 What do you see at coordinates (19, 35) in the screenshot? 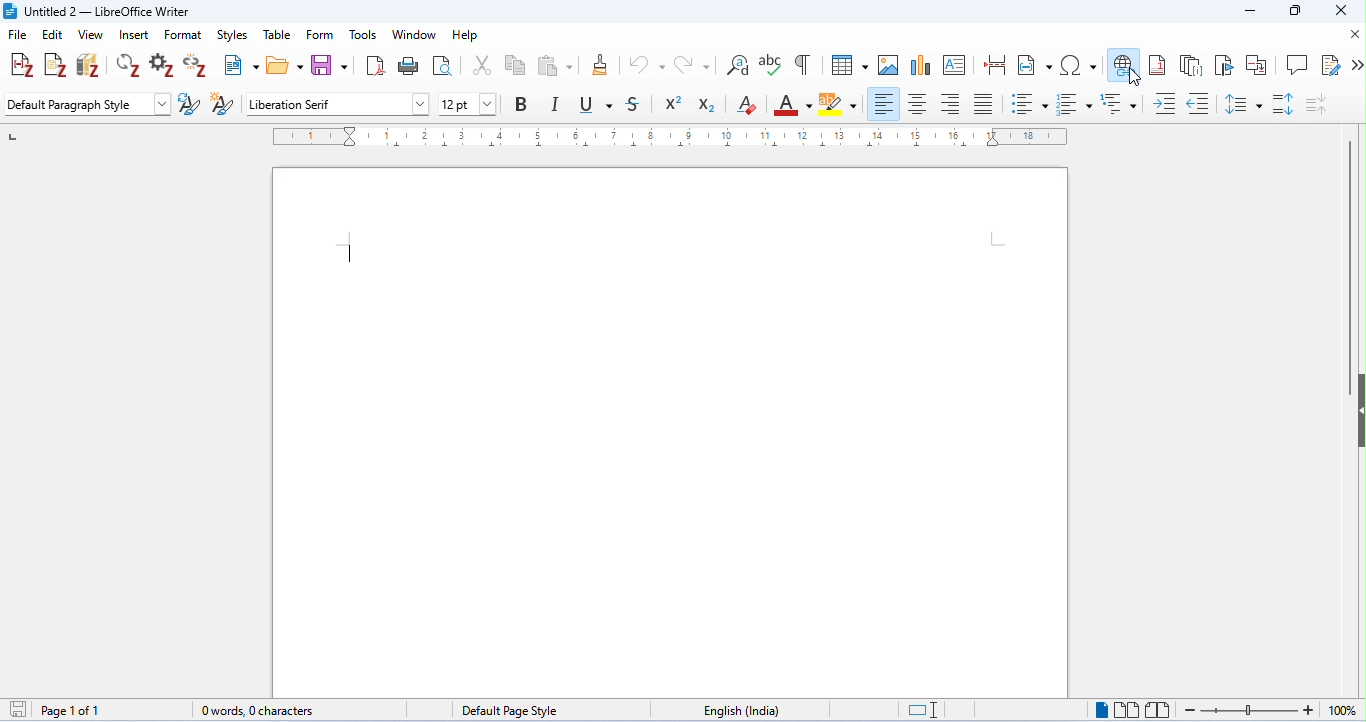
I see `file` at bounding box center [19, 35].